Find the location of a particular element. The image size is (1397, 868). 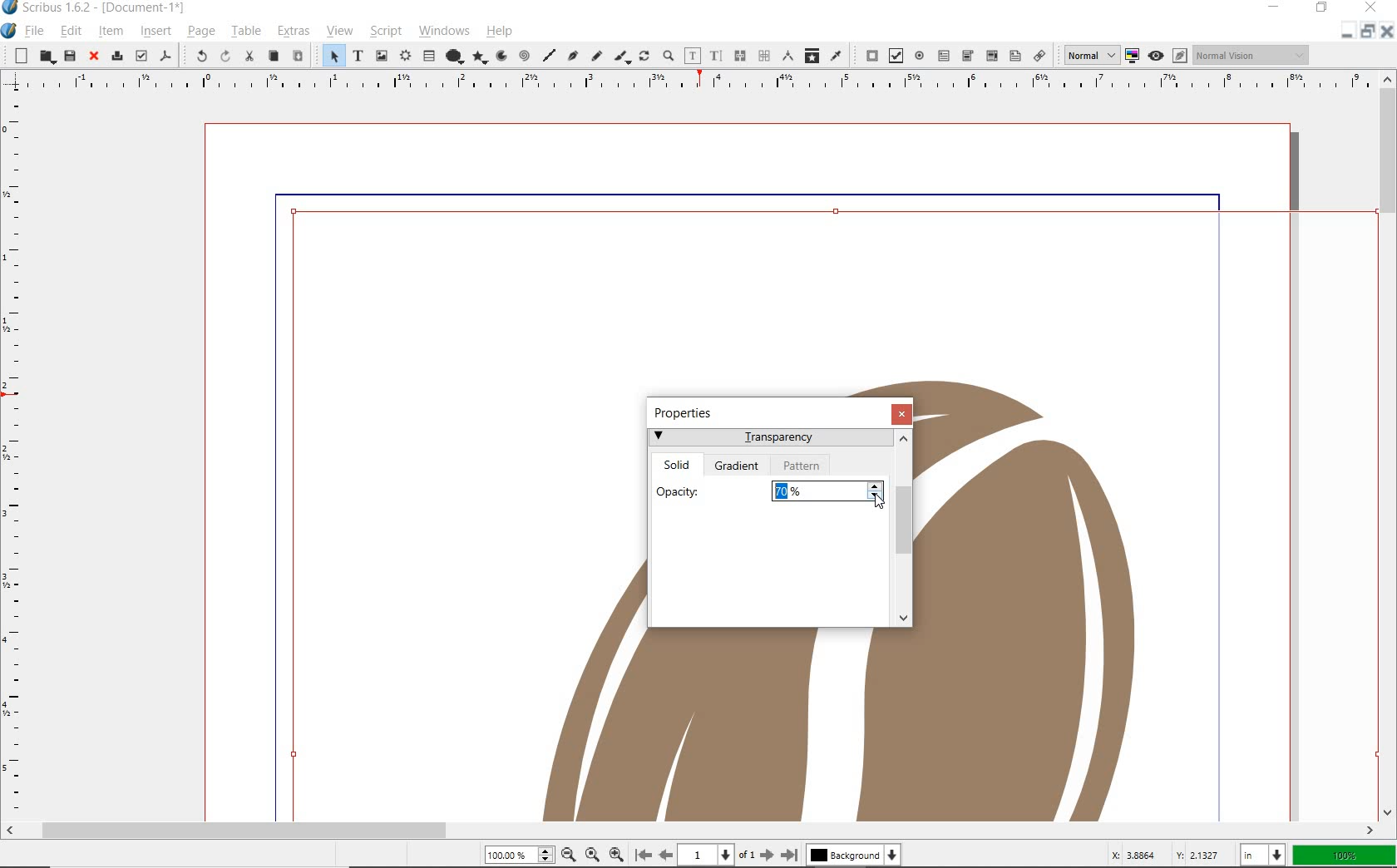

item is located at coordinates (111, 32).